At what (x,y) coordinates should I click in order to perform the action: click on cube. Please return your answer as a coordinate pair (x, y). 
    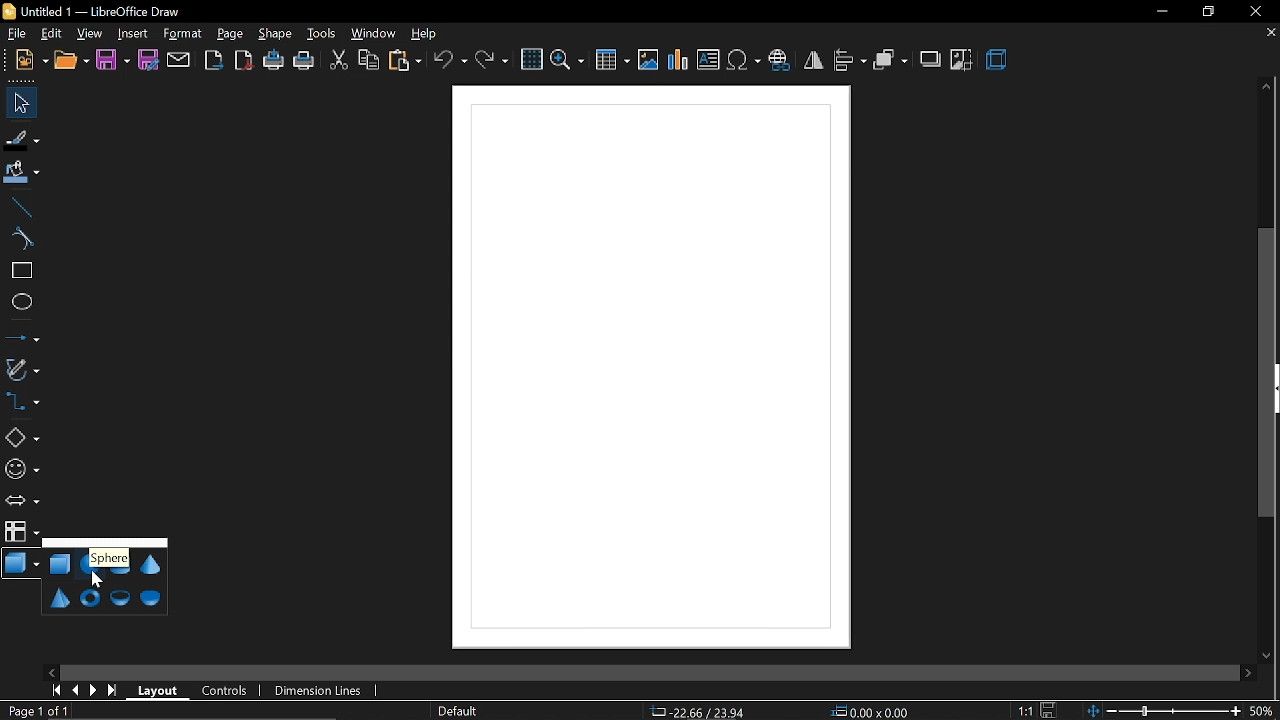
    Looking at the image, I should click on (58, 566).